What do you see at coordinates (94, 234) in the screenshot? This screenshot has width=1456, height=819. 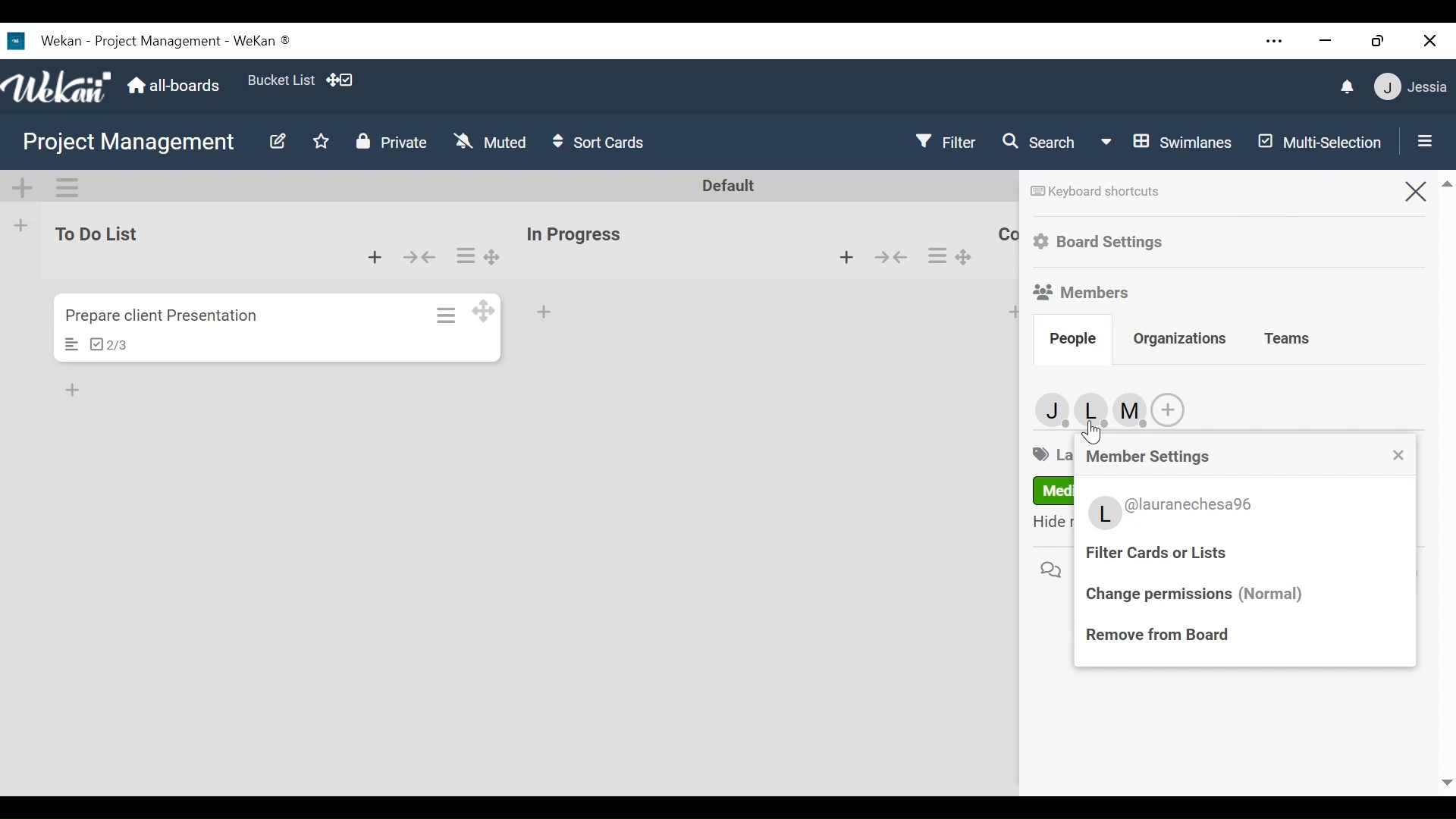 I see `List Title` at bounding box center [94, 234].